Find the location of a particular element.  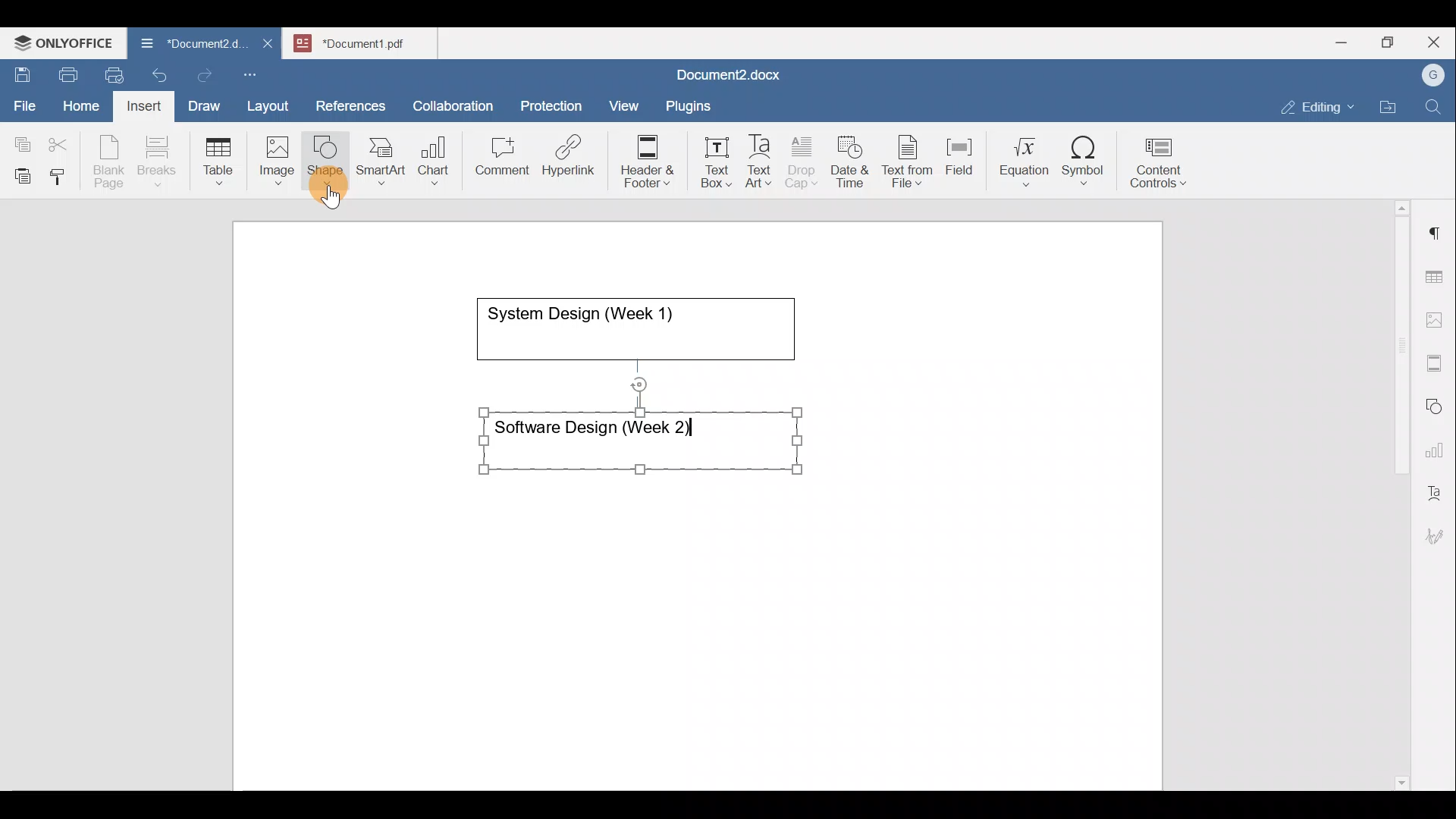

Comment is located at coordinates (497, 160).